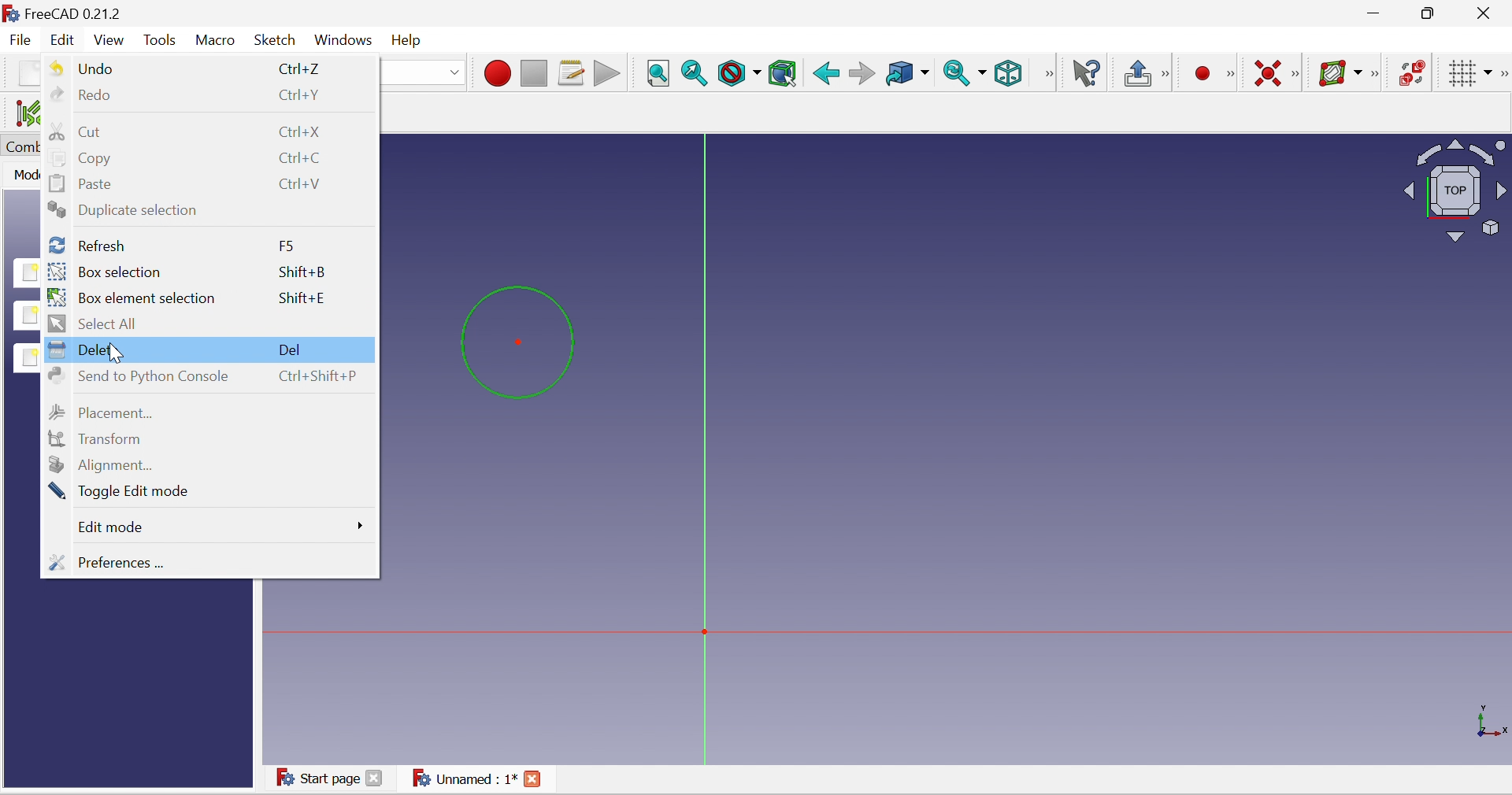 The height and width of the screenshot is (795, 1512). What do you see at coordinates (1199, 74) in the screenshot?
I see `Create point` at bounding box center [1199, 74].